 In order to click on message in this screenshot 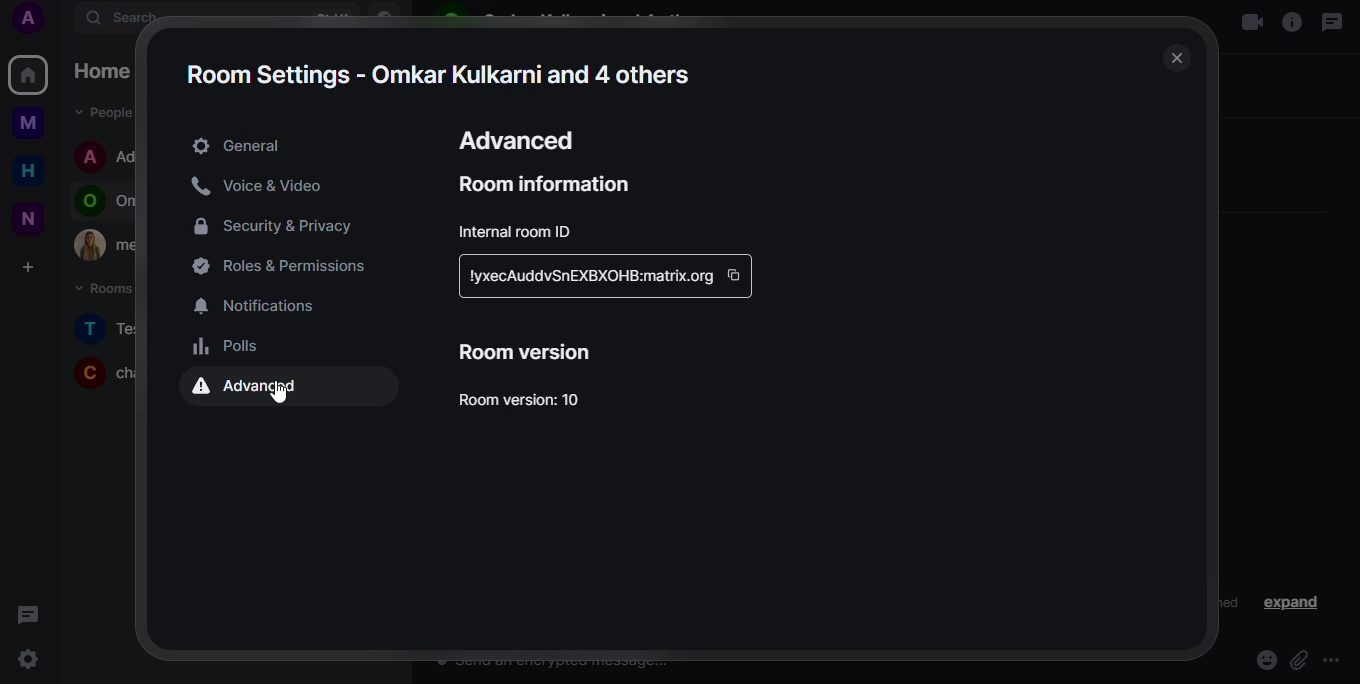, I will do `click(31, 615)`.